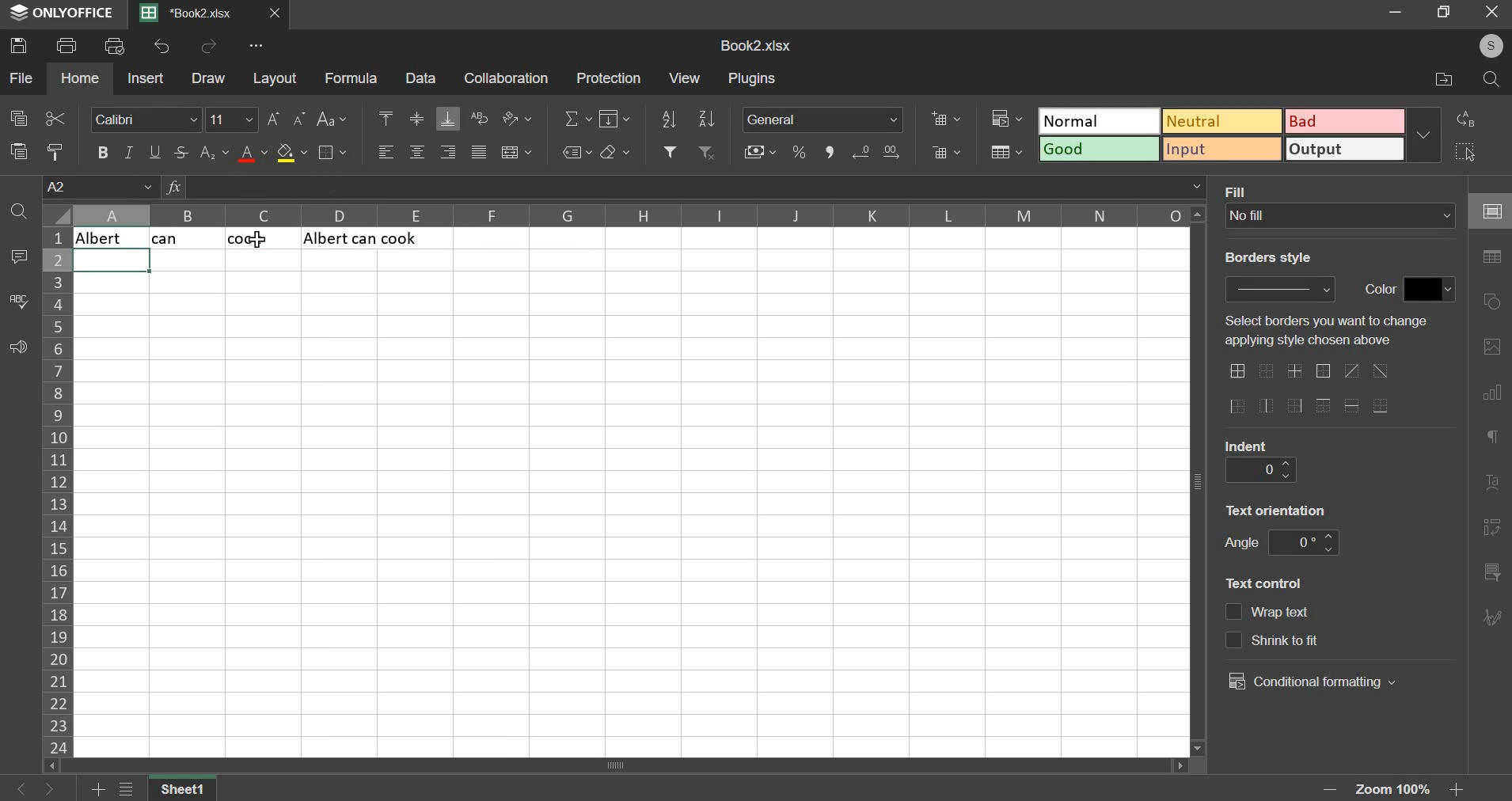 This screenshot has width=1512, height=801. What do you see at coordinates (156, 152) in the screenshot?
I see `underline` at bounding box center [156, 152].